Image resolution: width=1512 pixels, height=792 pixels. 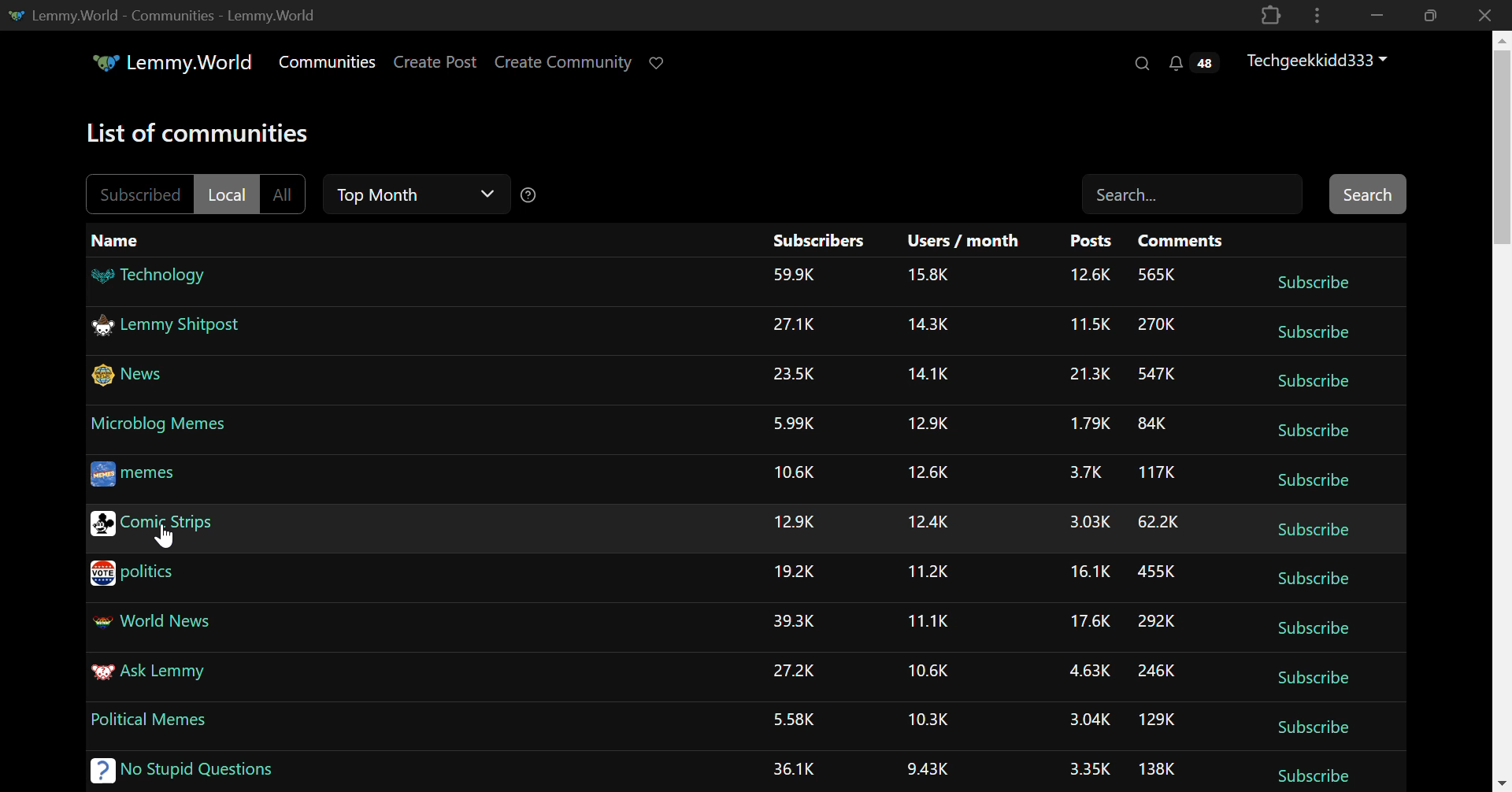 What do you see at coordinates (793, 278) in the screenshot?
I see `53.9K` at bounding box center [793, 278].